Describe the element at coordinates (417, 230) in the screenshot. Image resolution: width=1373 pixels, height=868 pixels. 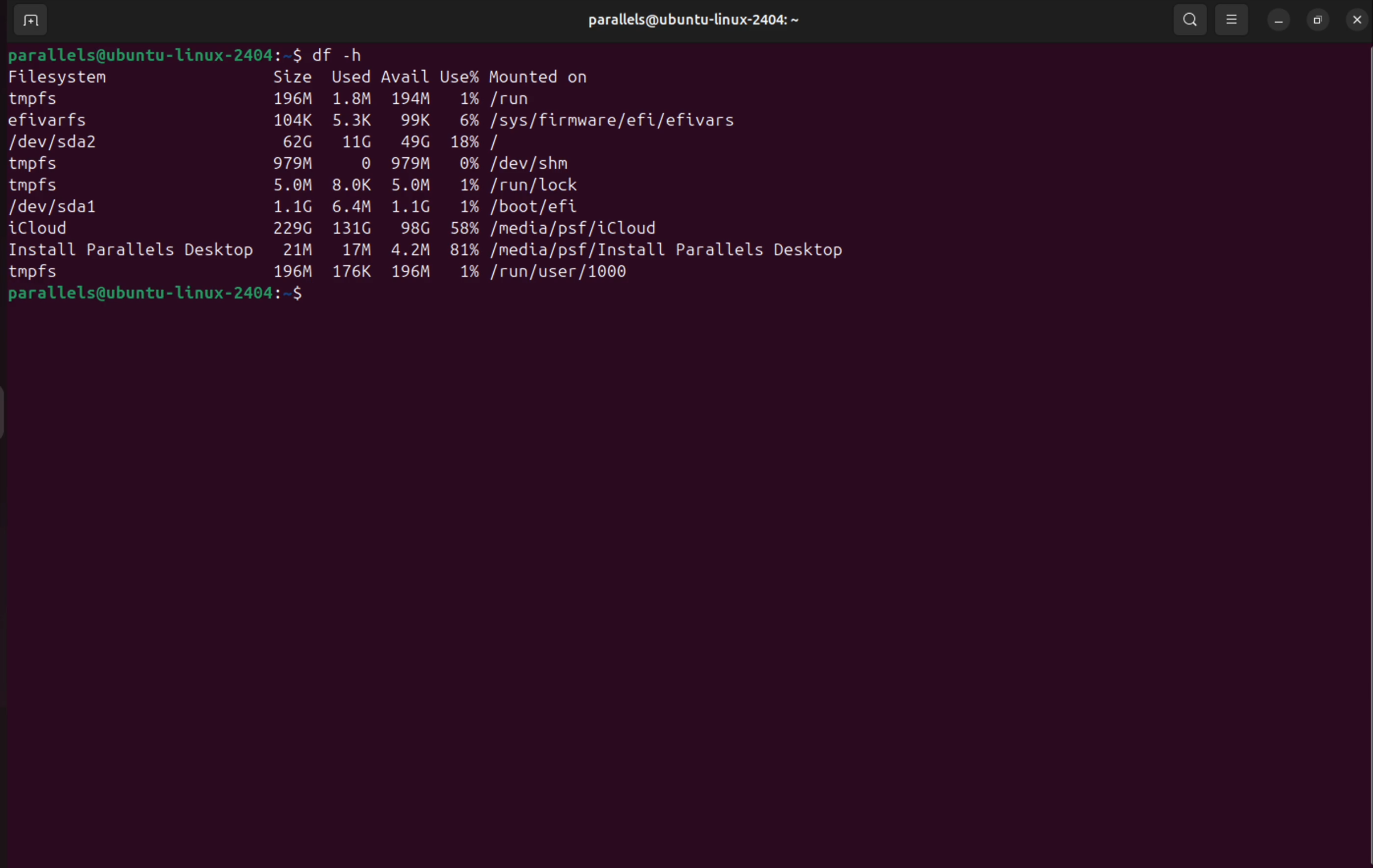
I see `9.8 g` at that location.